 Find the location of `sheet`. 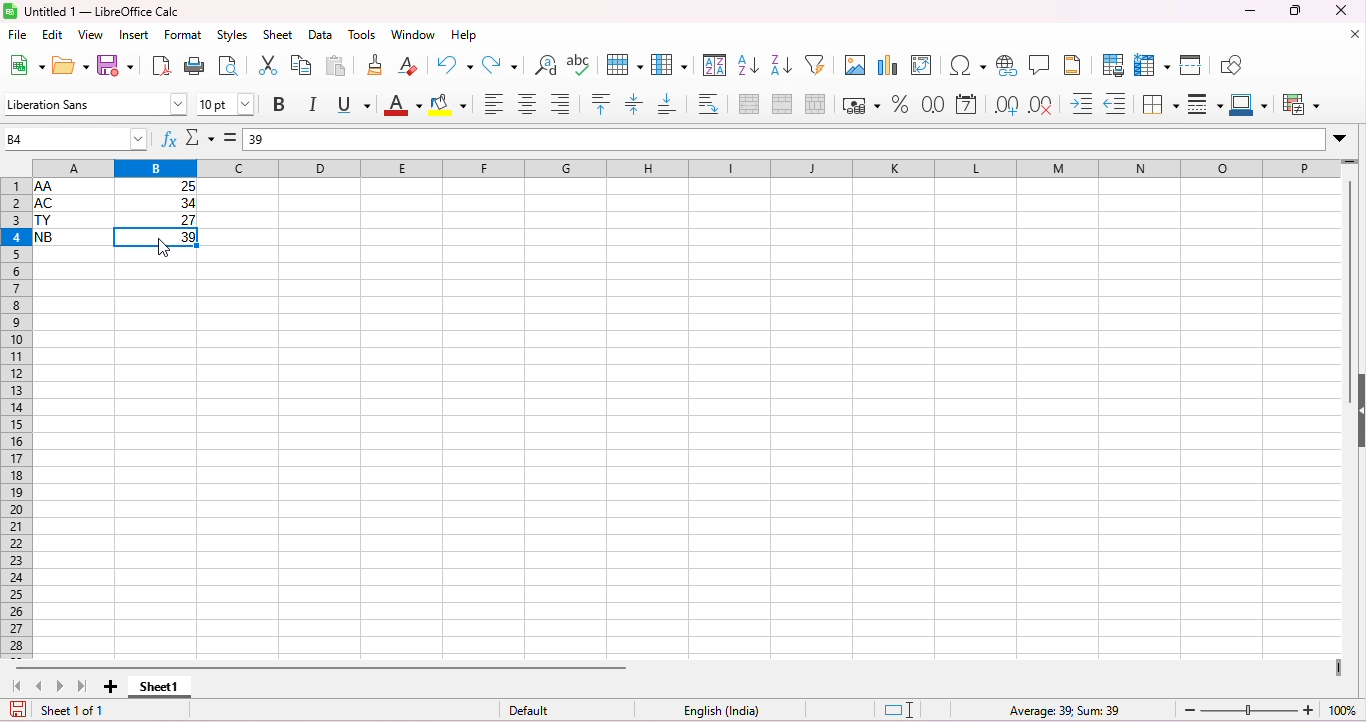

sheet is located at coordinates (280, 36).